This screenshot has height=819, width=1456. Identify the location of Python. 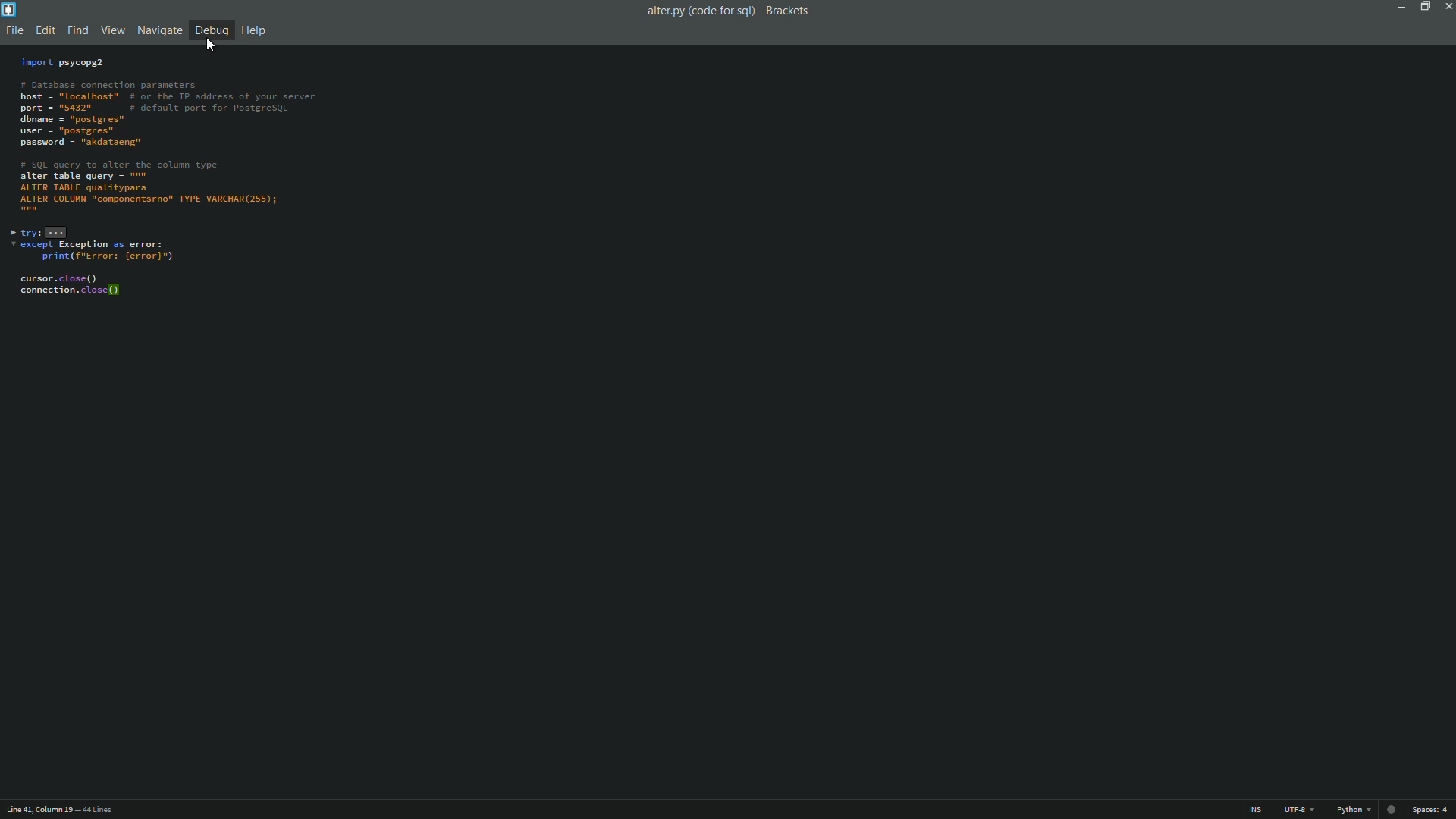
(1354, 811).